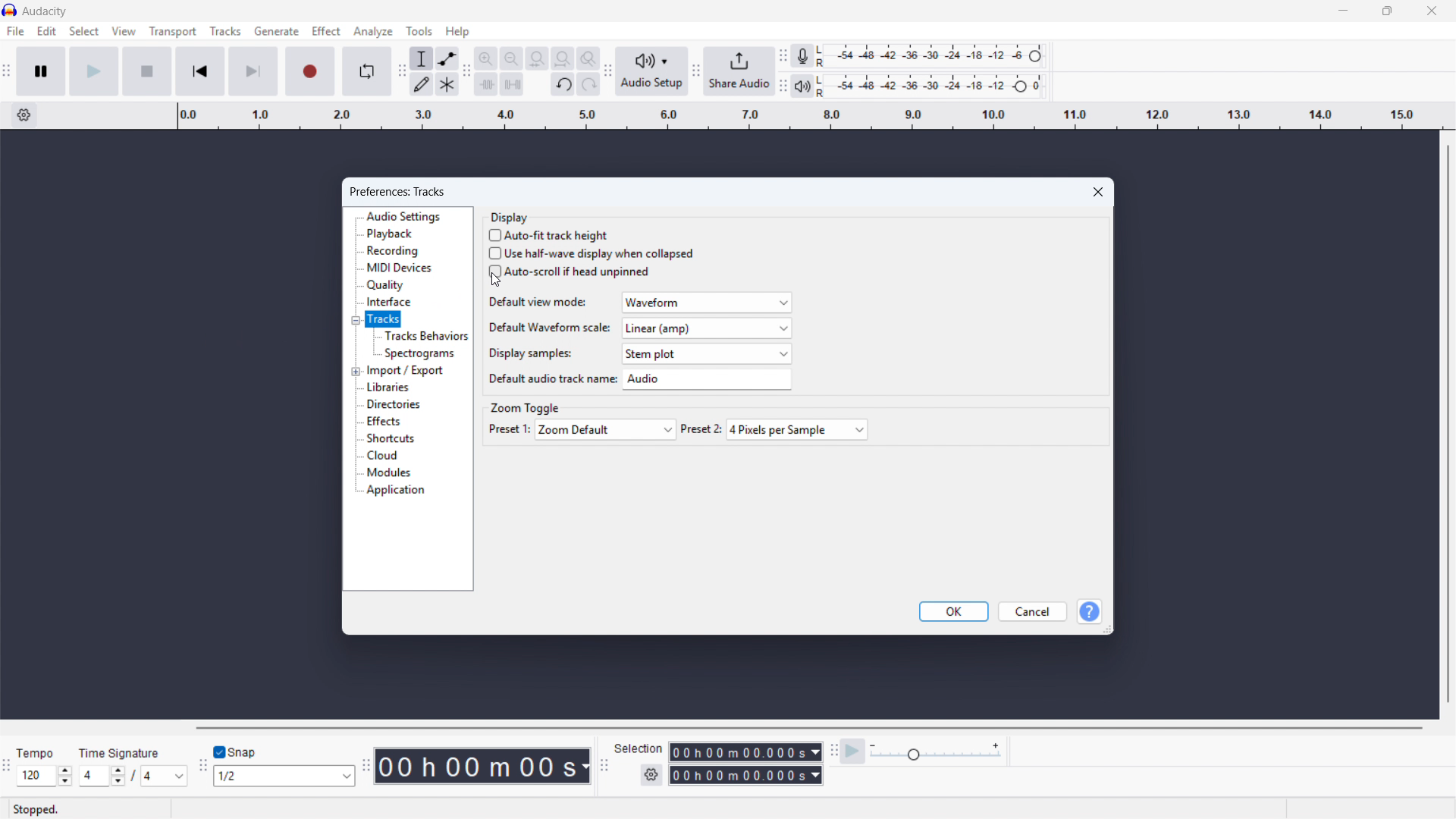 Image resolution: width=1456 pixels, height=819 pixels. I want to click on generate, so click(276, 31).